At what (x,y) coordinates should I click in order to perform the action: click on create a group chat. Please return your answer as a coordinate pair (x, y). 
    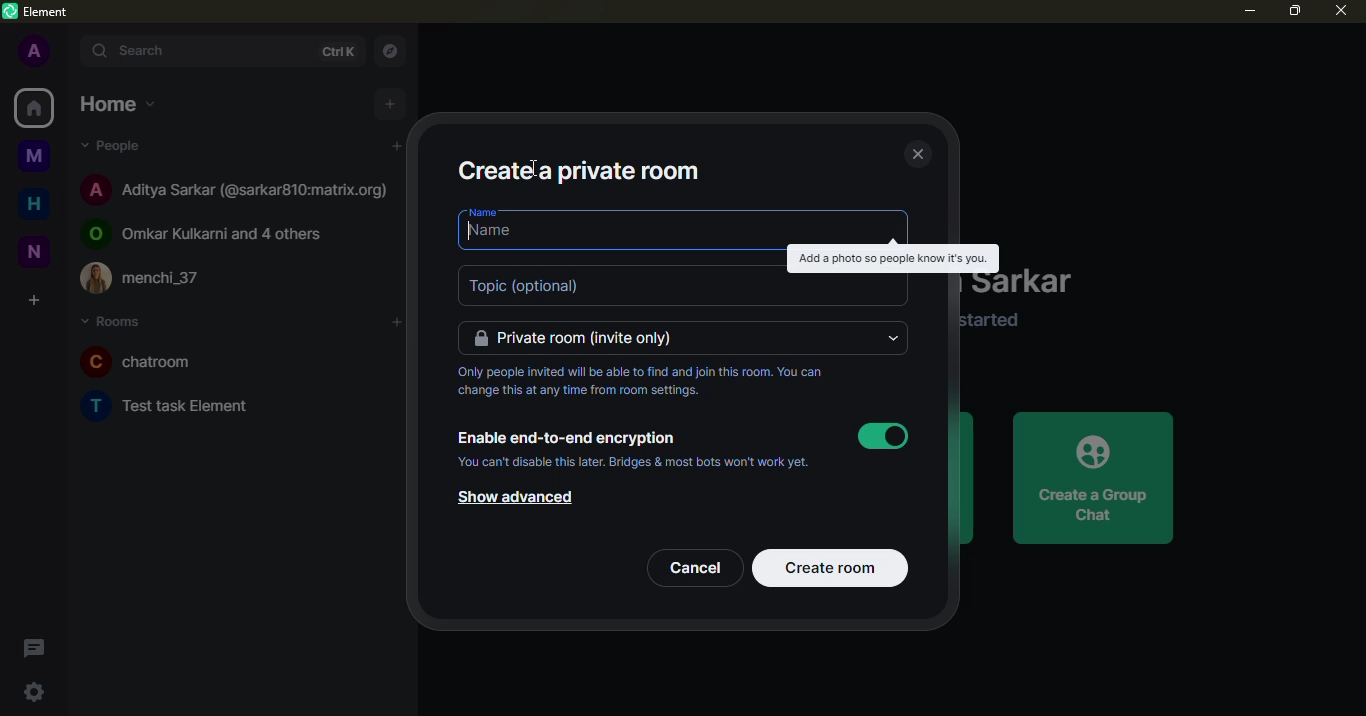
    Looking at the image, I should click on (1094, 477).